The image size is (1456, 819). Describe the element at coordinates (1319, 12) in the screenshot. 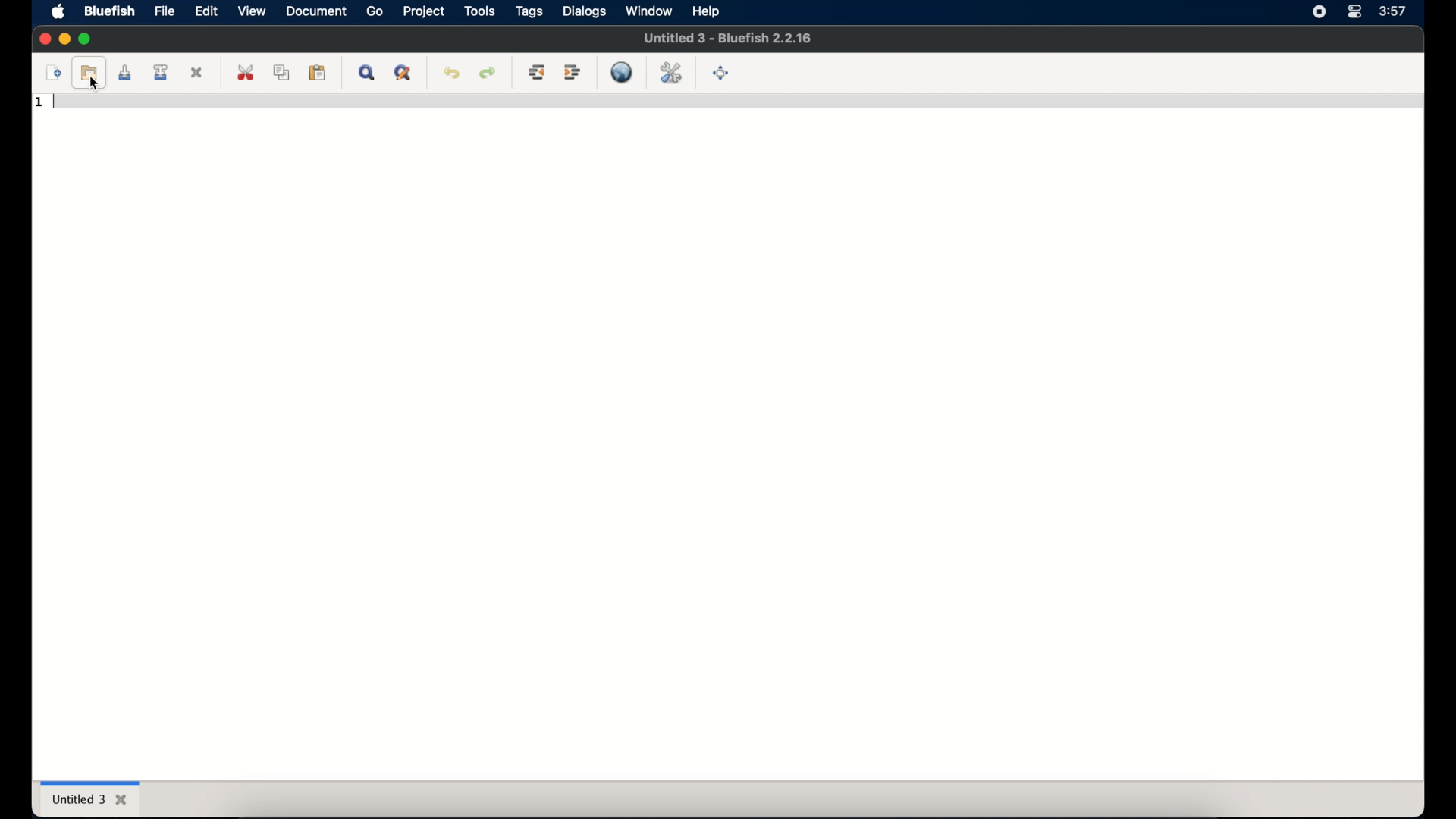

I see `screen recorder icon` at that location.